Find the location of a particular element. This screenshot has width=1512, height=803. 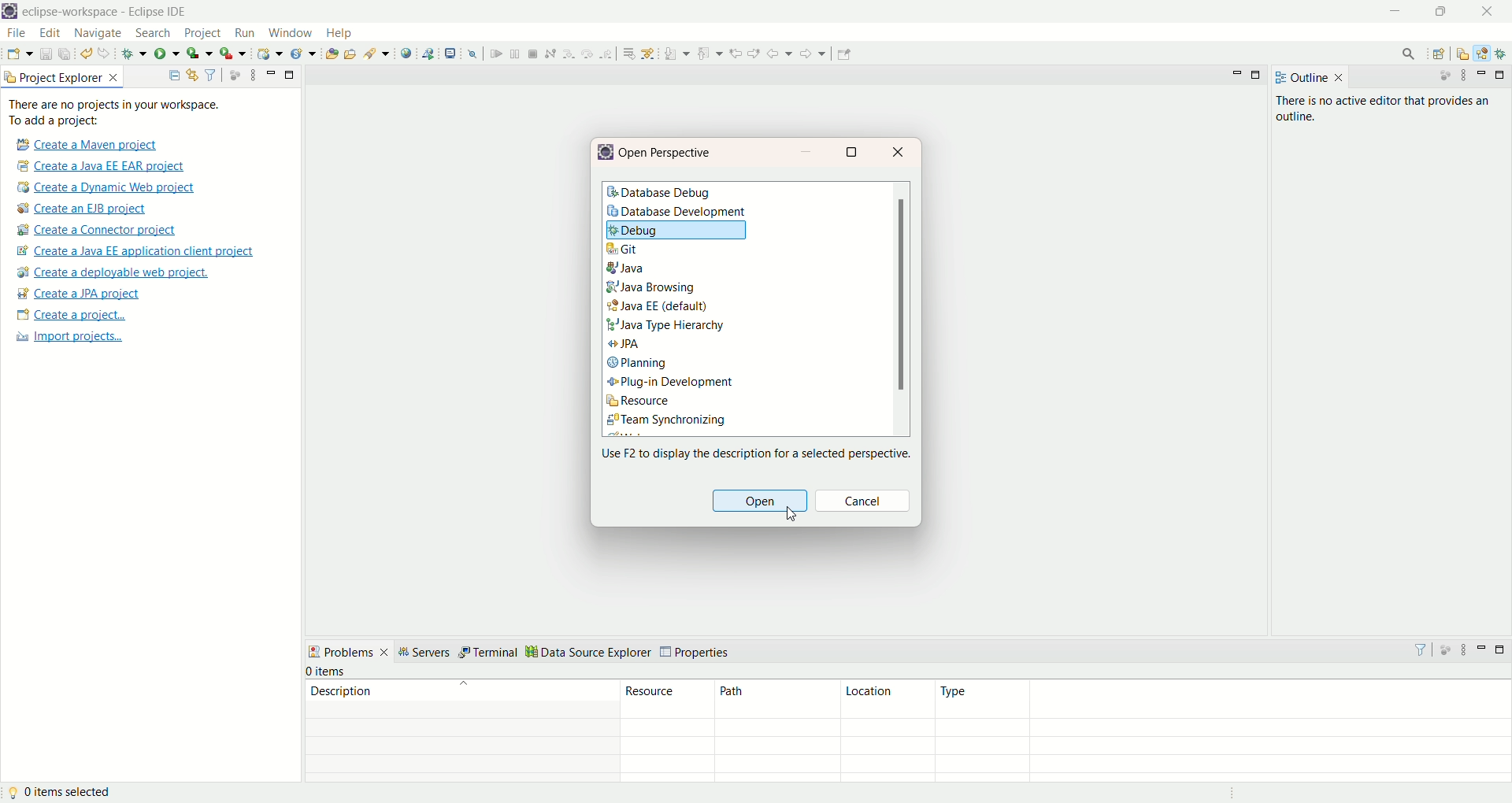

open a terminal is located at coordinates (449, 53).